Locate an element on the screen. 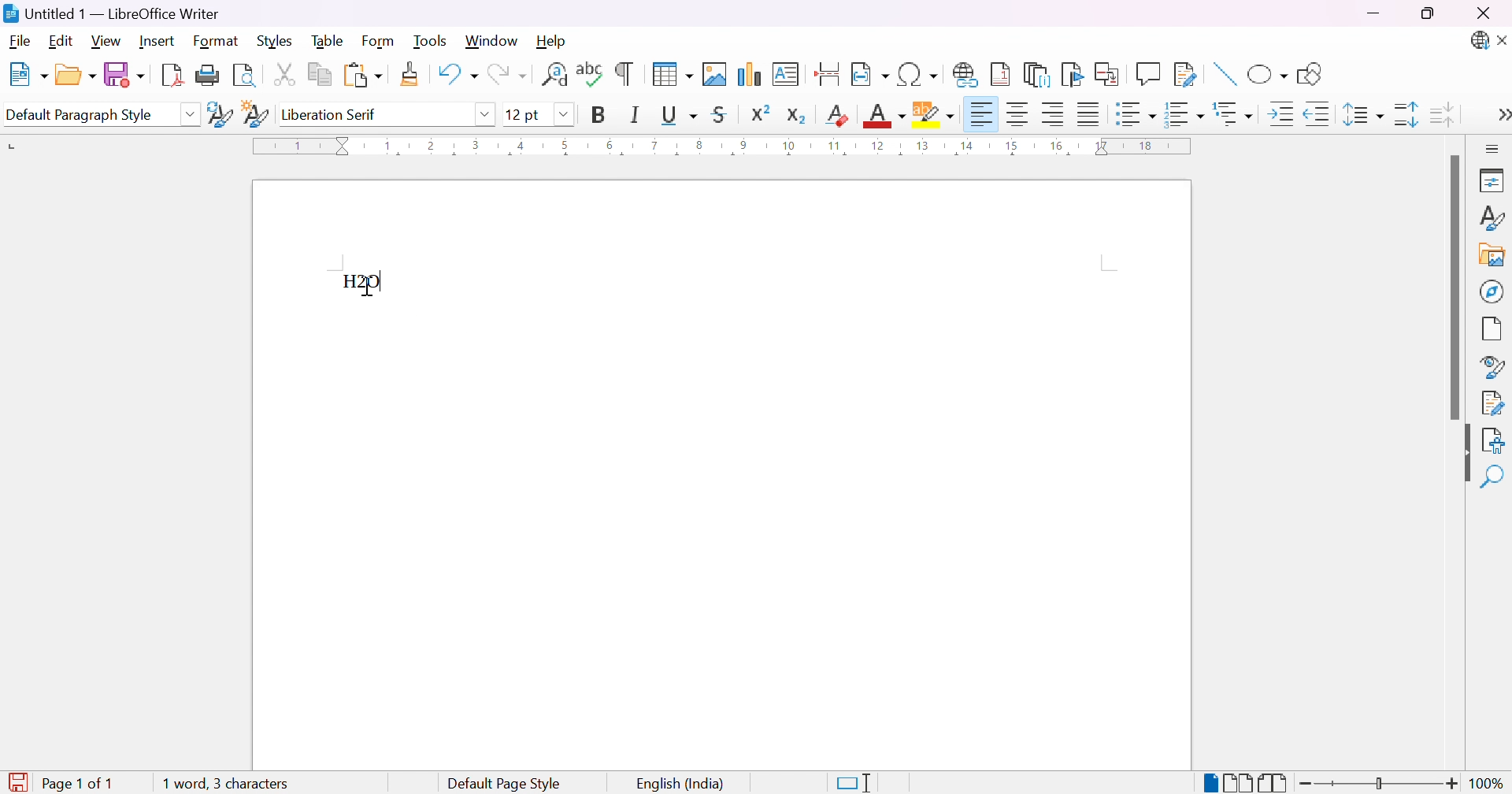 The height and width of the screenshot is (794, 1512). Navigator is located at coordinates (1492, 291).